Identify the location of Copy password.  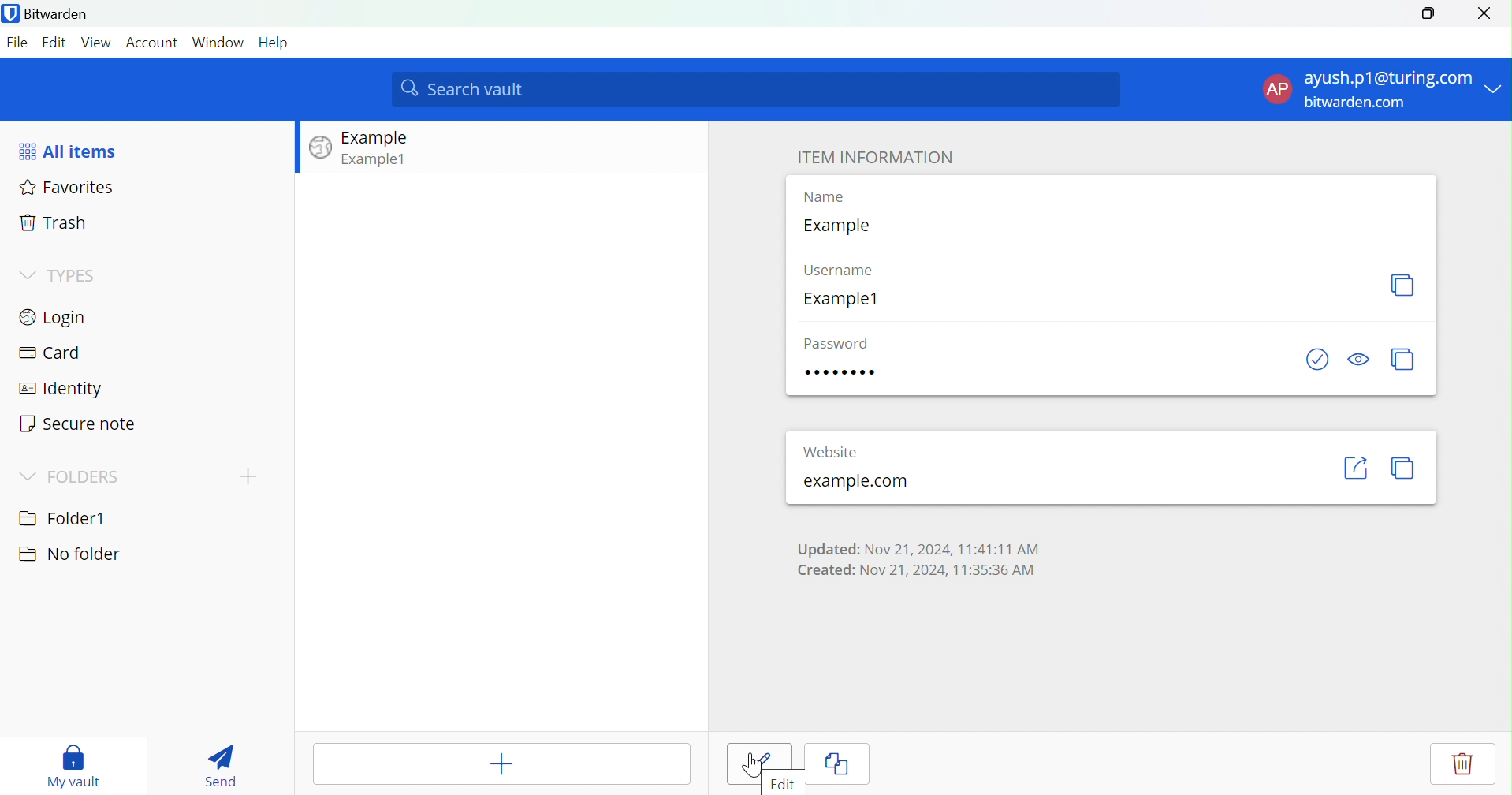
(1404, 358).